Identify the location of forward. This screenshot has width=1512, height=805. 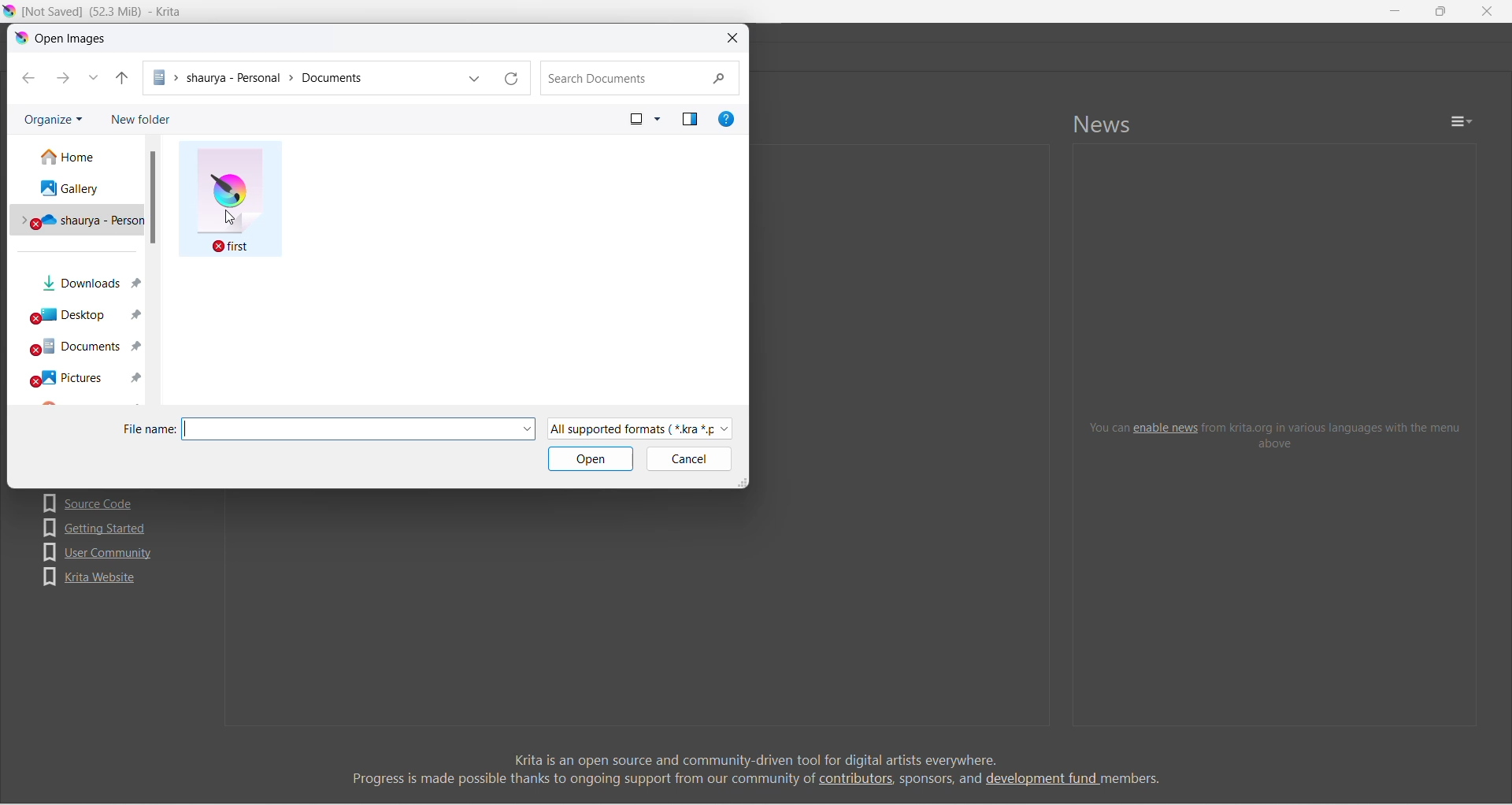
(63, 78).